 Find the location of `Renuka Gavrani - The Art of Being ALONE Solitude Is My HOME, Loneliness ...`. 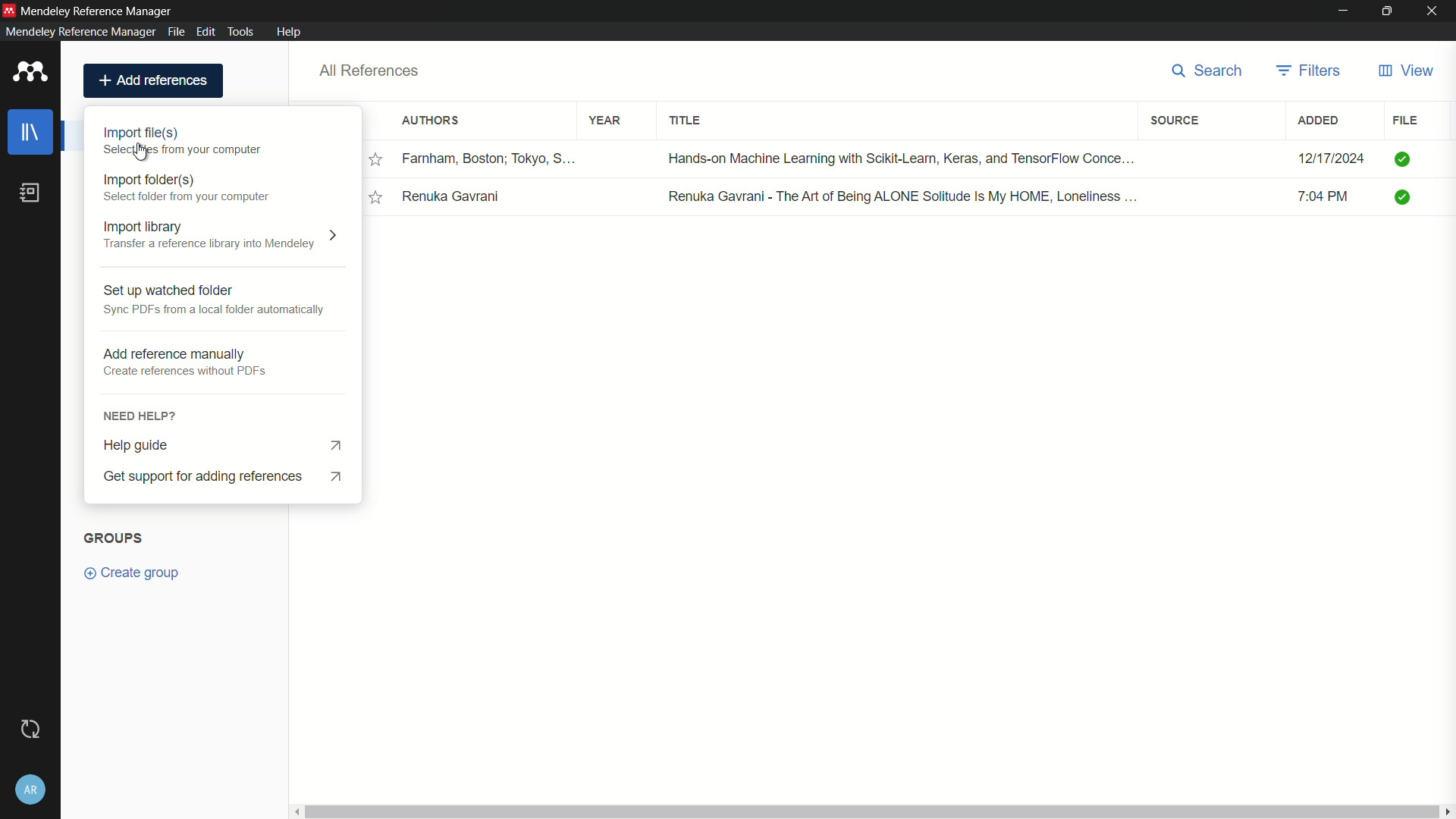

Renuka Gavrani - The Art of Being ALONE Solitude Is My HOME, Loneliness ... is located at coordinates (903, 196).